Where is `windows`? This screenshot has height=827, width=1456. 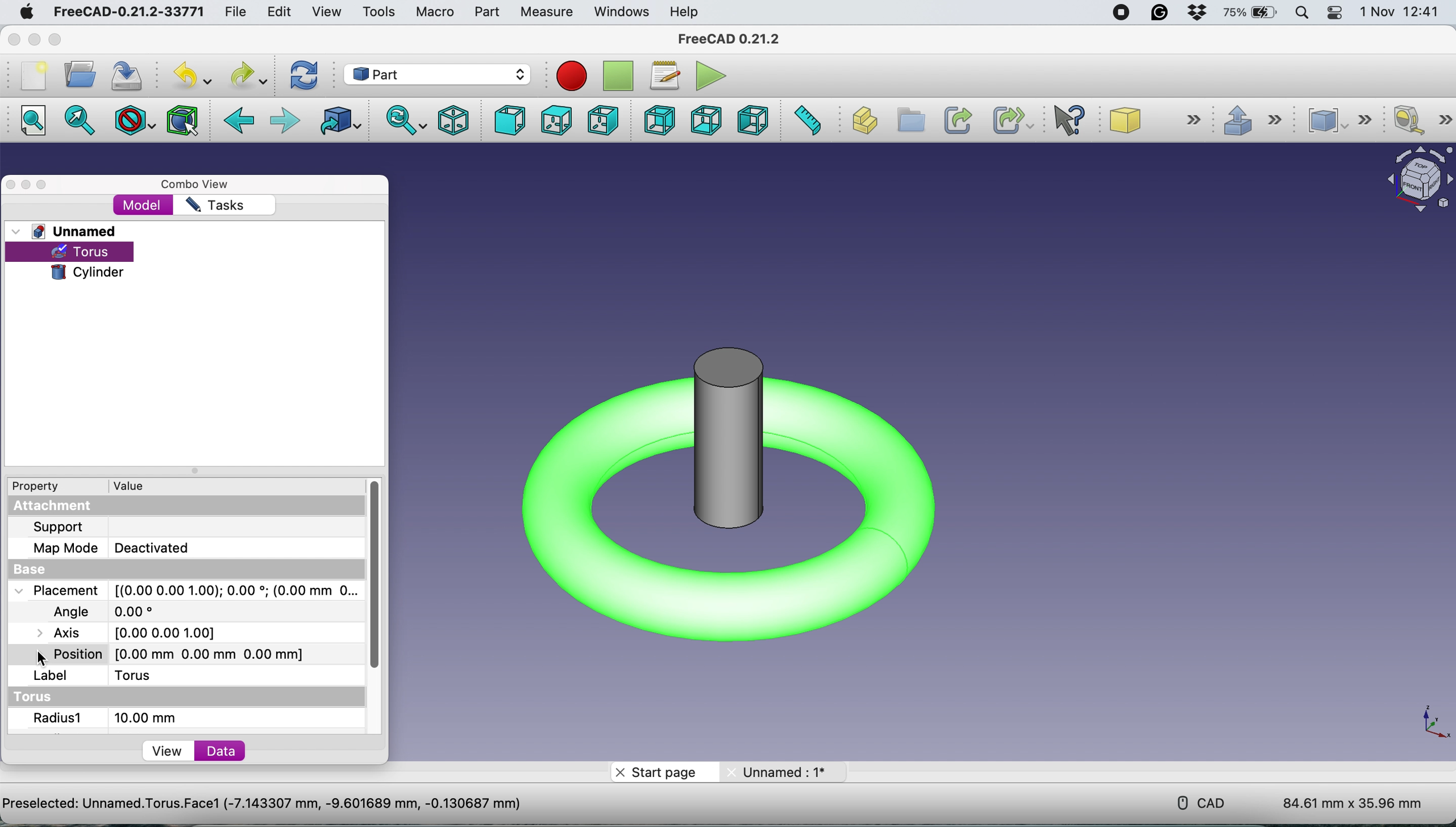
windows is located at coordinates (623, 12).